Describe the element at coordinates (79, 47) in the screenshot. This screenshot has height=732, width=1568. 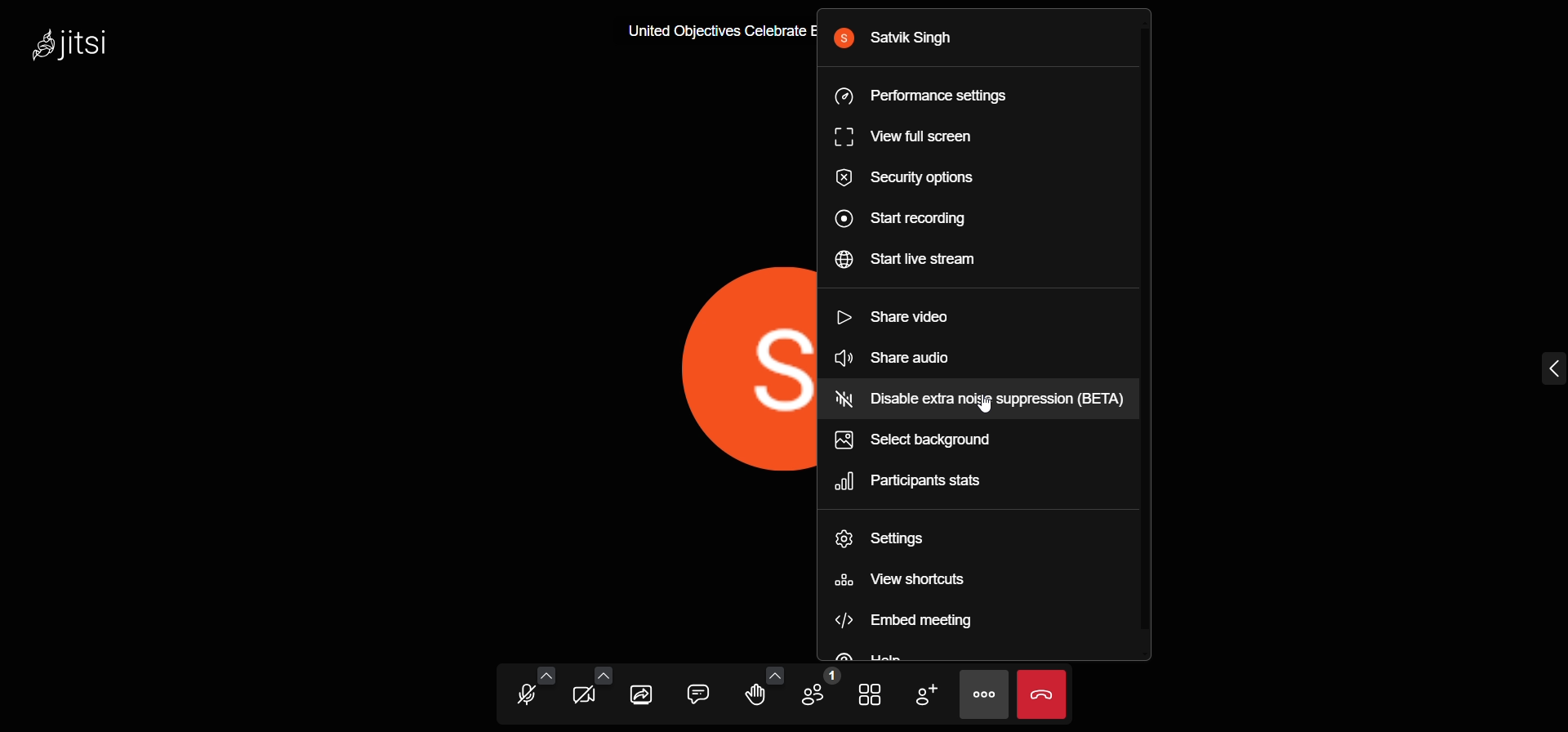
I see `Jitsi` at that location.